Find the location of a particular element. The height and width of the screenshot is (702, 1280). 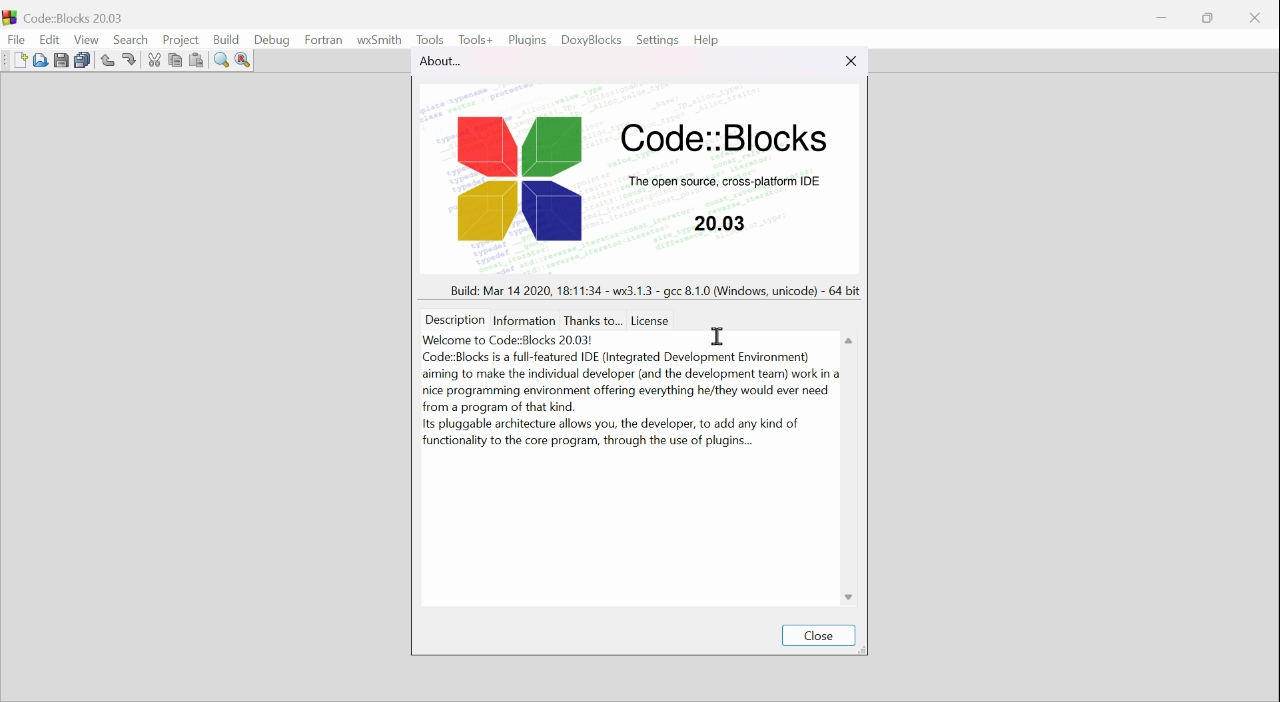

Debug is located at coordinates (270, 40).